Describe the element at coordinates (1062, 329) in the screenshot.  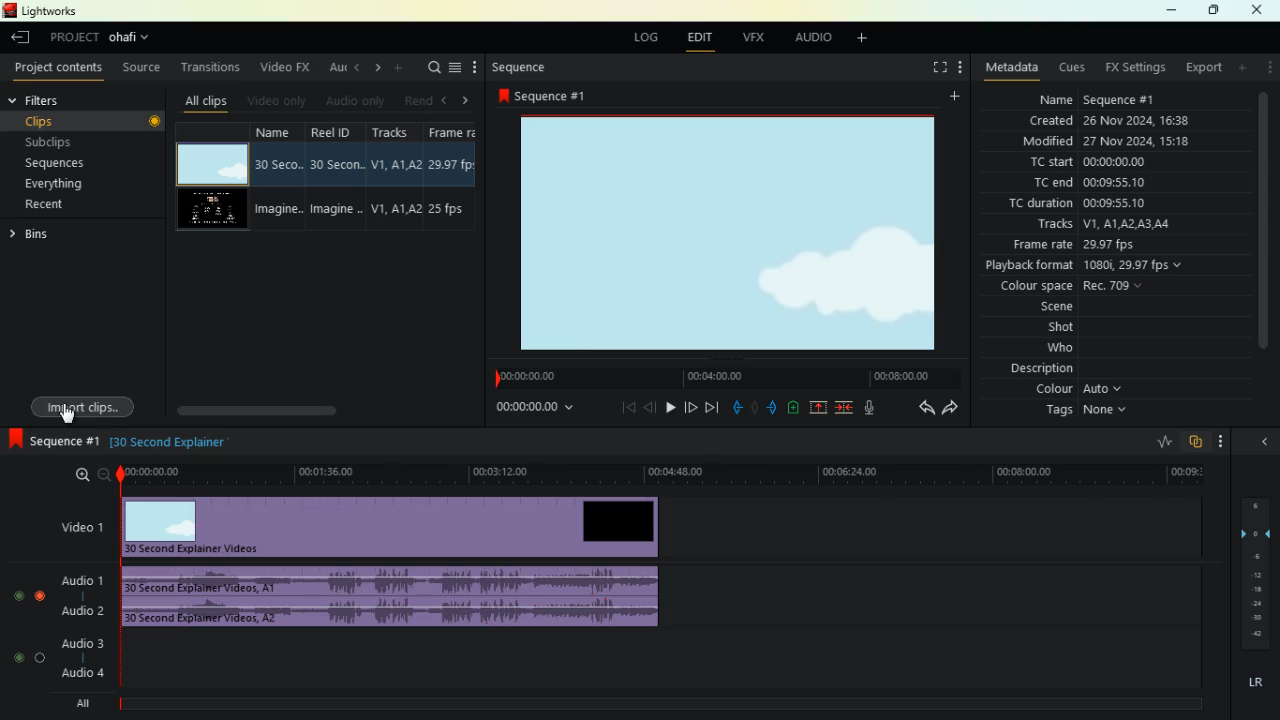
I see `shot` at that location.